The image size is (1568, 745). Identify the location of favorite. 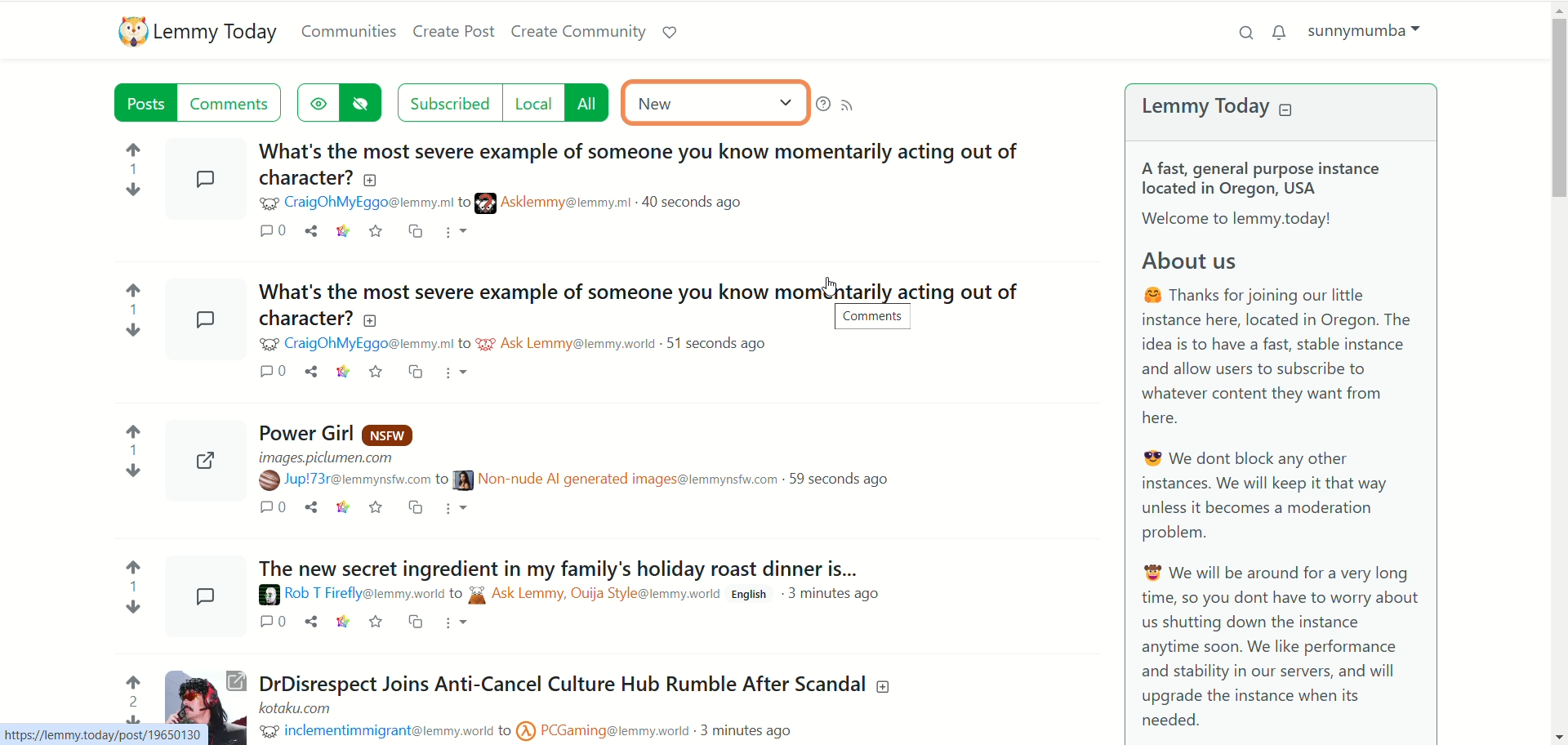
(375, 372).